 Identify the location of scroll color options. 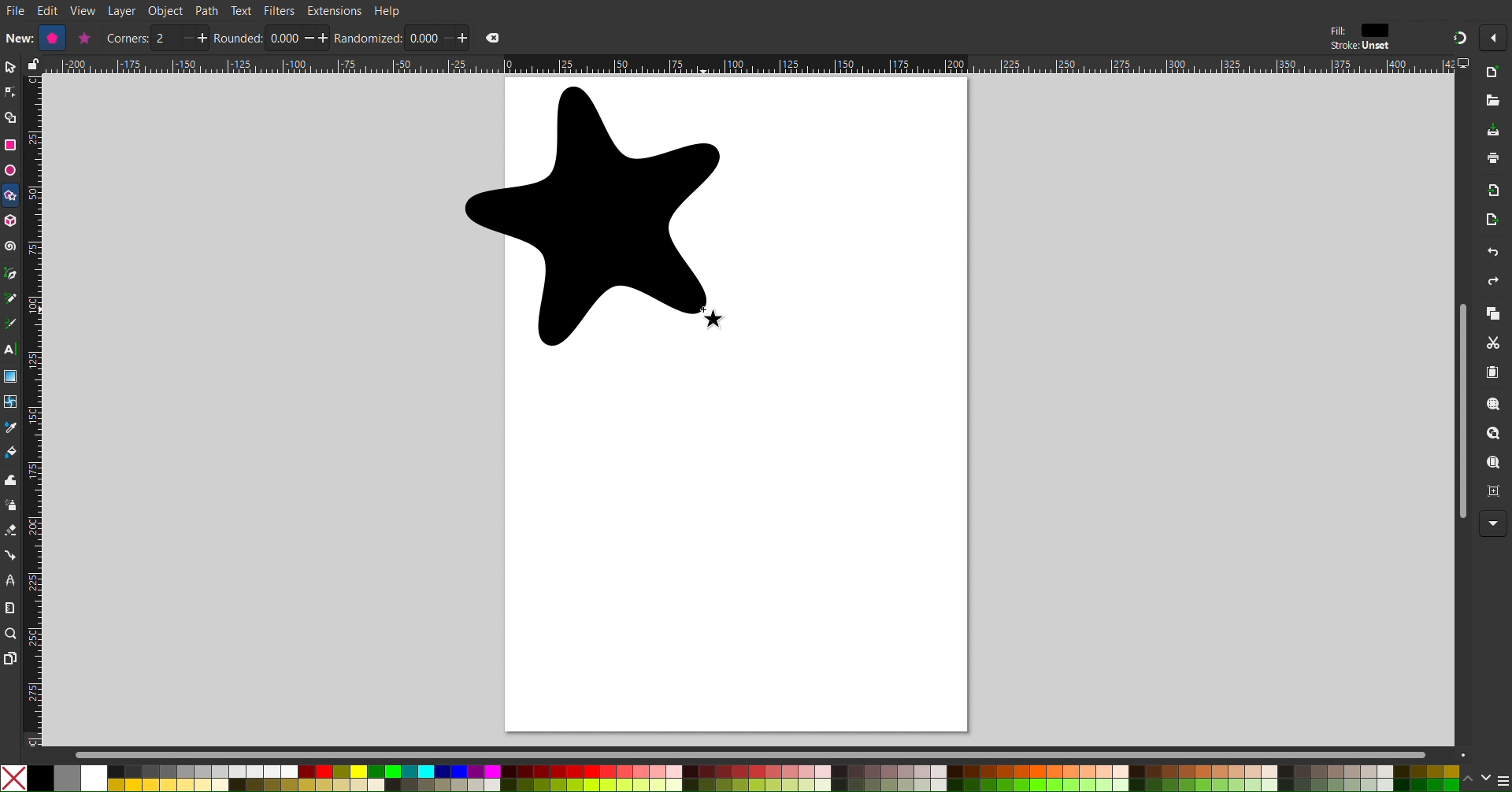
(1476, 778).